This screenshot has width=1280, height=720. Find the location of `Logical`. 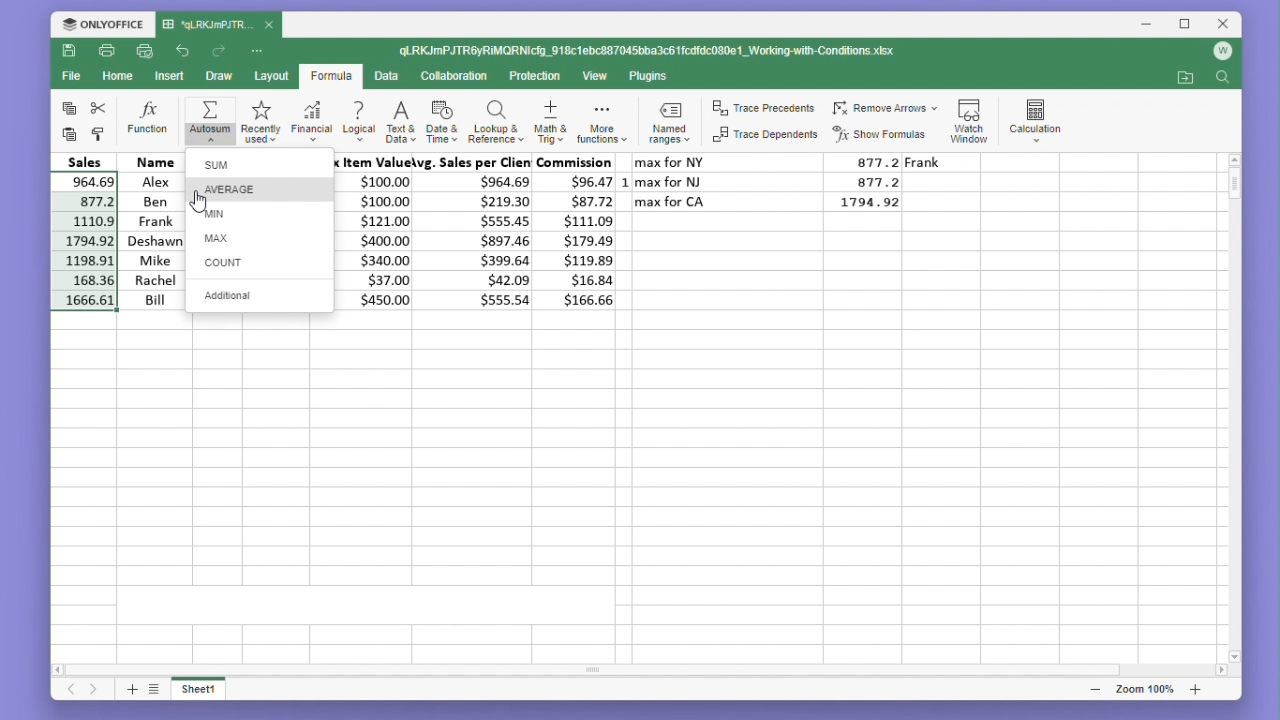

Logical is located at coordinates (358, 120).